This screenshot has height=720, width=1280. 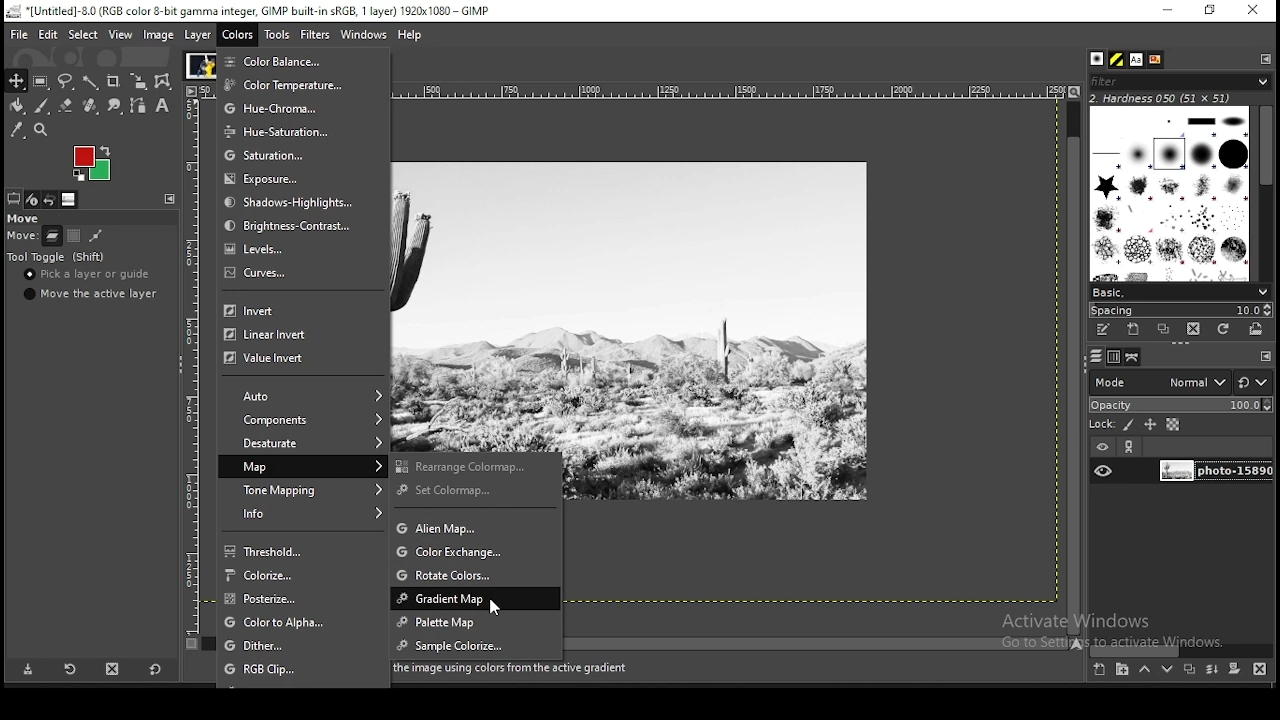 I want to click on lock alpha channel, so click(x=1174, y=424).